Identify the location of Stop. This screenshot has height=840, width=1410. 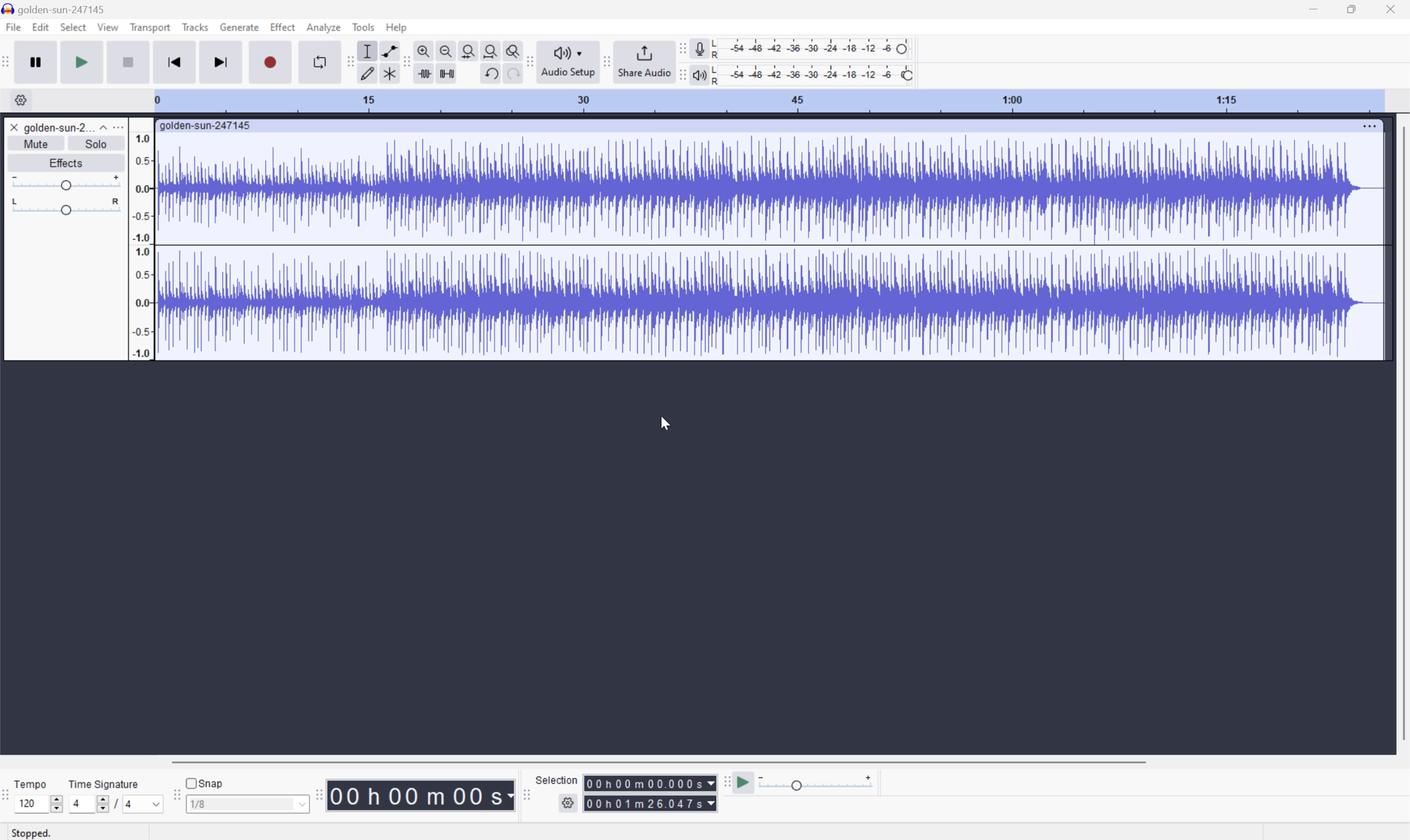
(127, 62).